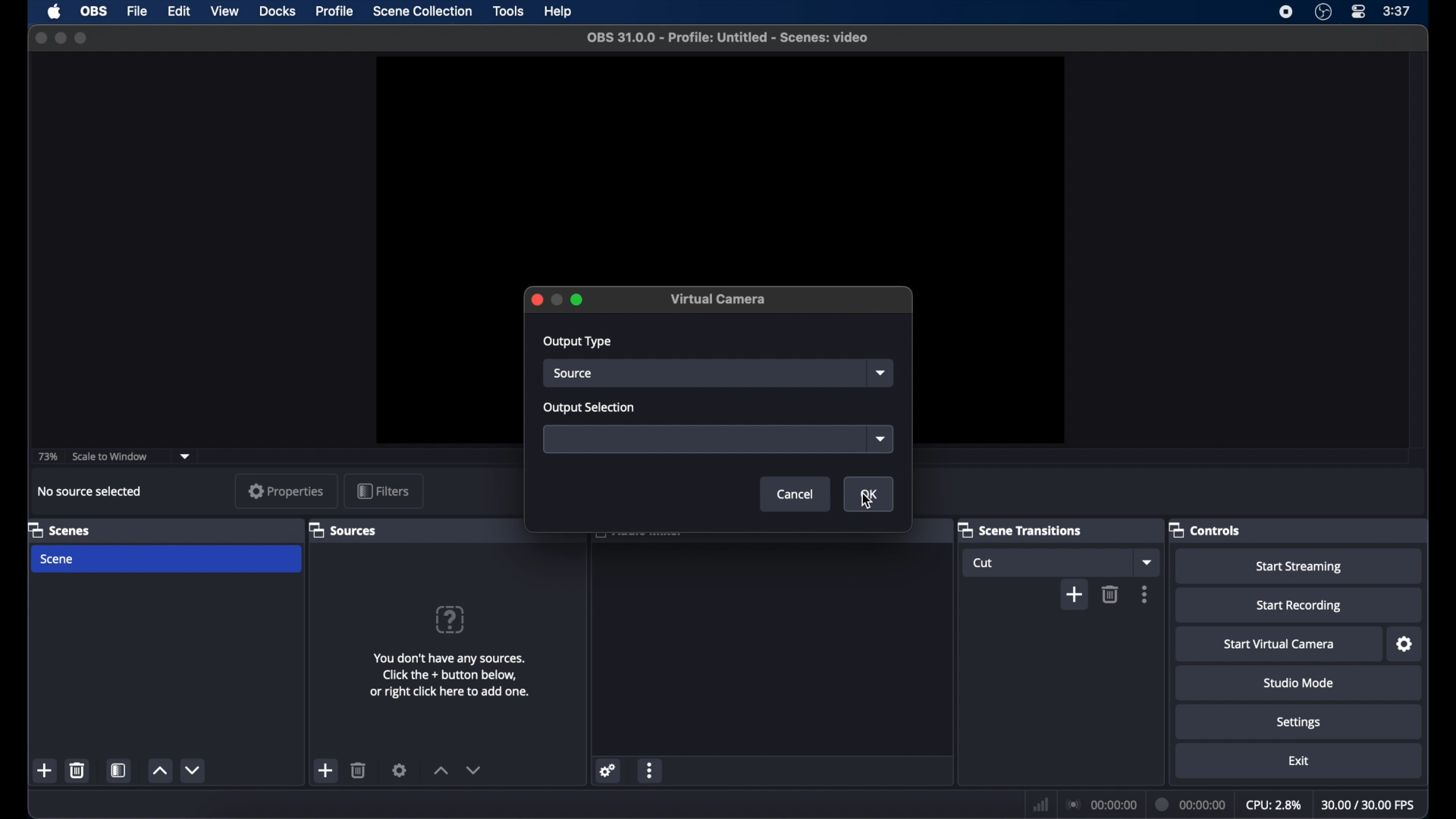  Describe the element at coordinates (1274, 805) in the screenshot. I see `cpu` at that location.